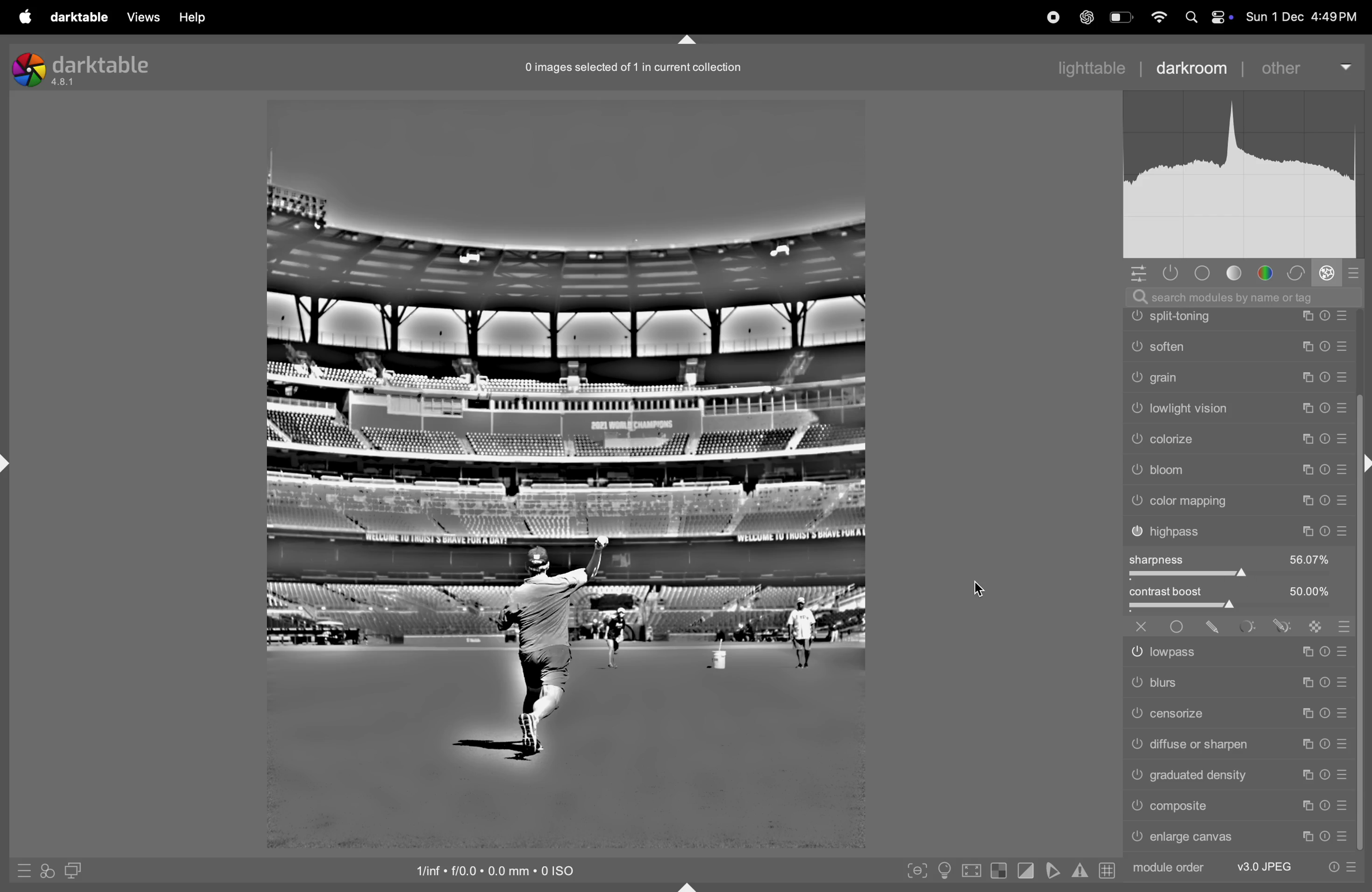 This screenshot has width=1372, height=892. What do you see at coordinates (694, 40) in the screenshot?
I see `markdown` at bounding box center [694, 40].